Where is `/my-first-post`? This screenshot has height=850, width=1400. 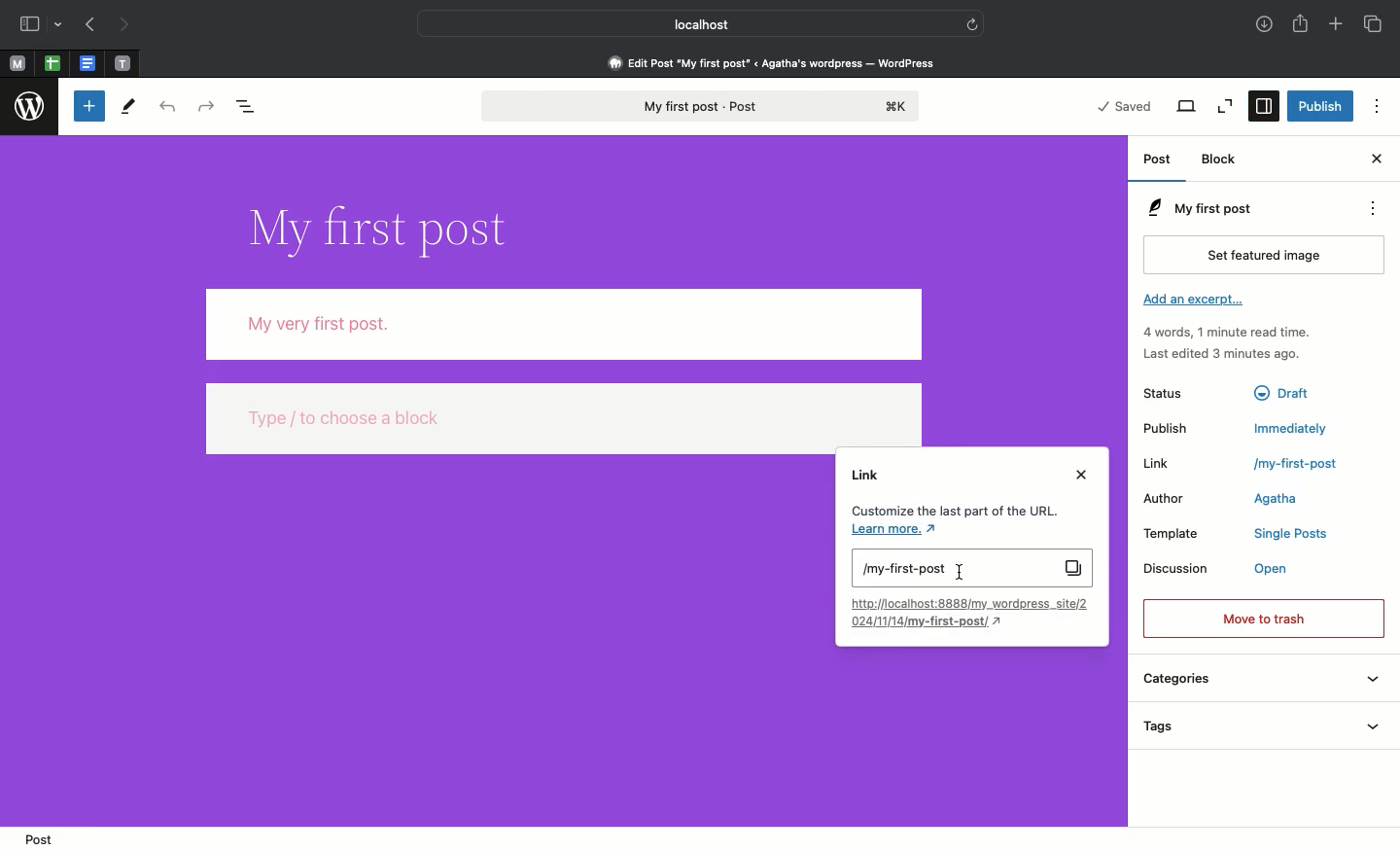
/my-first-post is located at coordinates (1293, 465).